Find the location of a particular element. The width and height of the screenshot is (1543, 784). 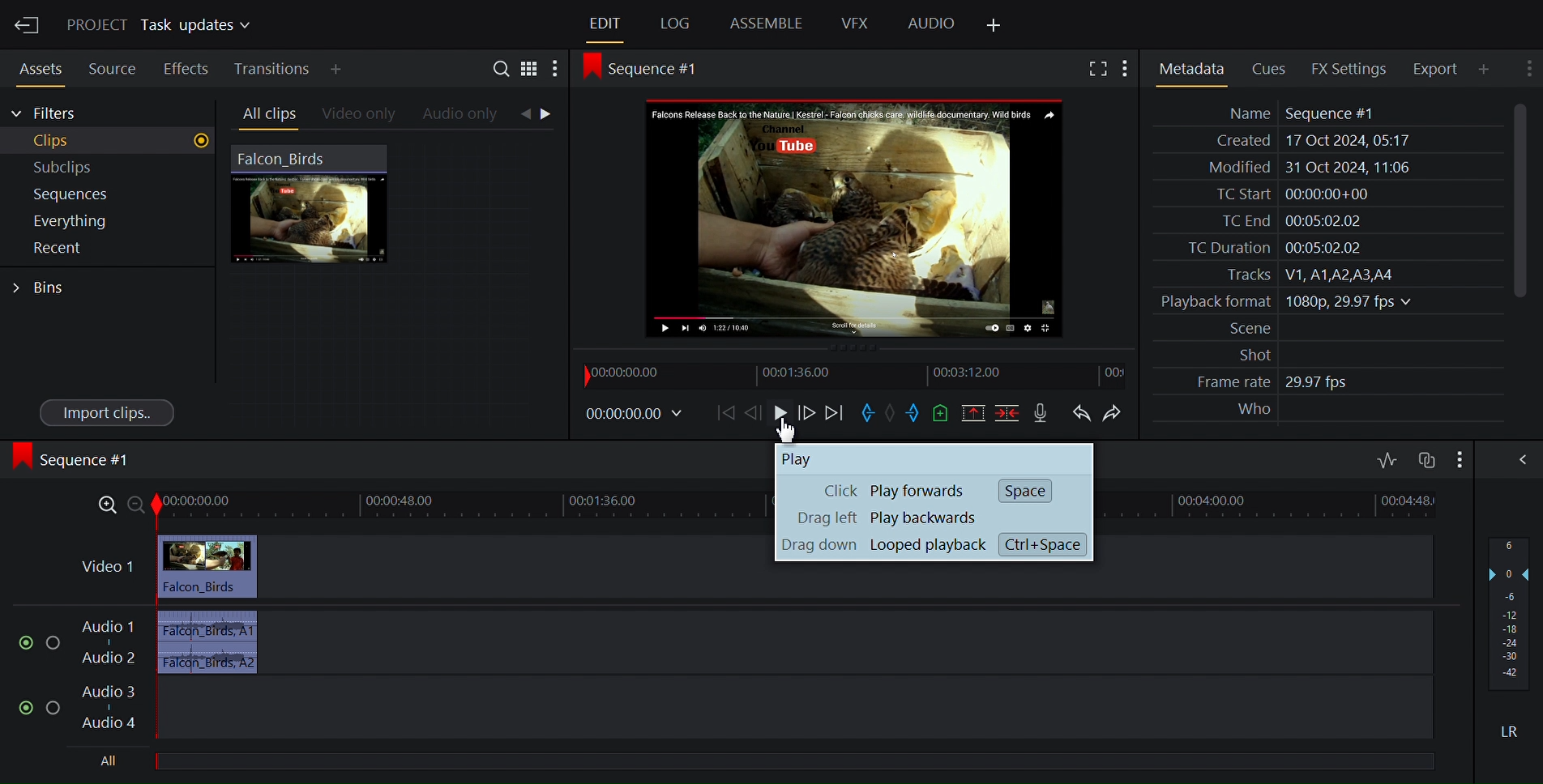

Show more options is located at coordinates (1126, 67).